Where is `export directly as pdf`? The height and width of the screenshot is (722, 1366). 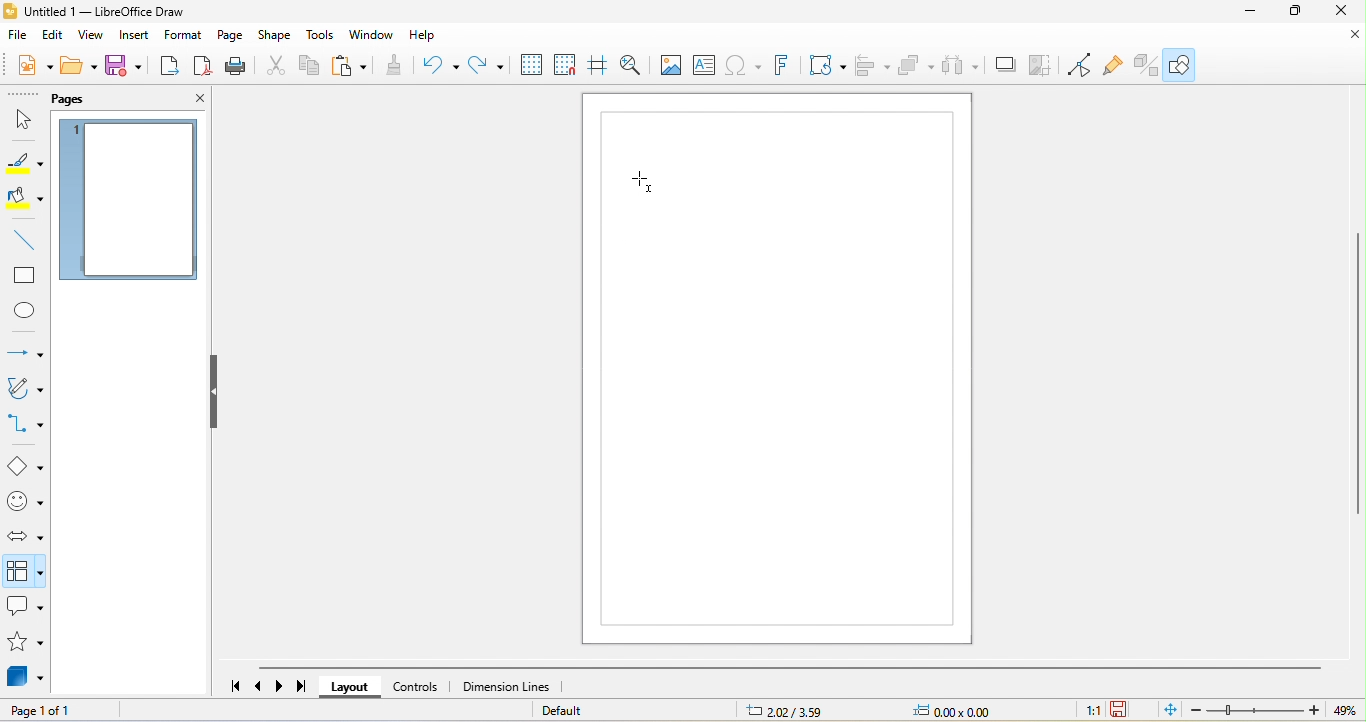 export directly as pdf is located at coordinates (203, 67).